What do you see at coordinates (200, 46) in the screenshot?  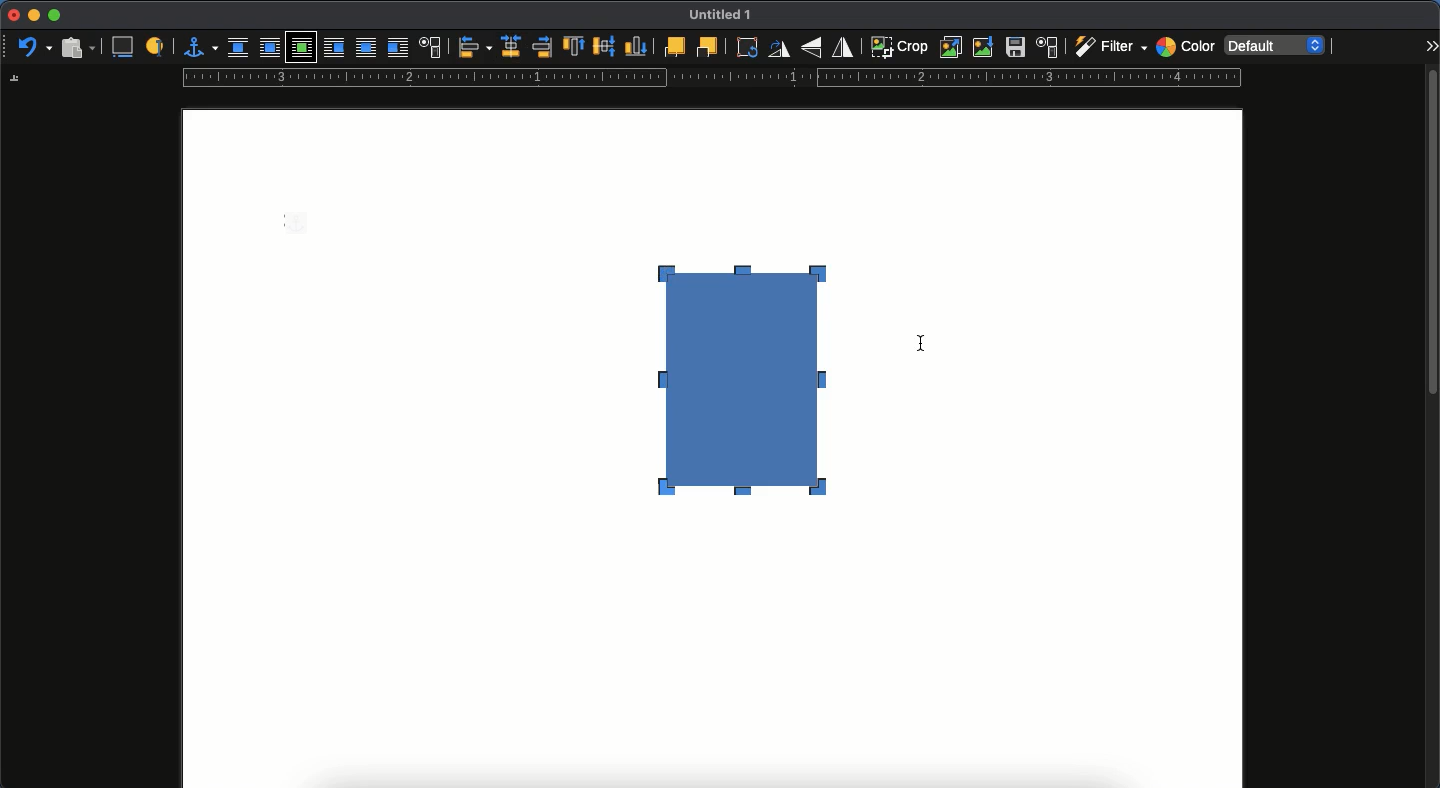 I see `anchor for object` at bounding box center [200, 46].